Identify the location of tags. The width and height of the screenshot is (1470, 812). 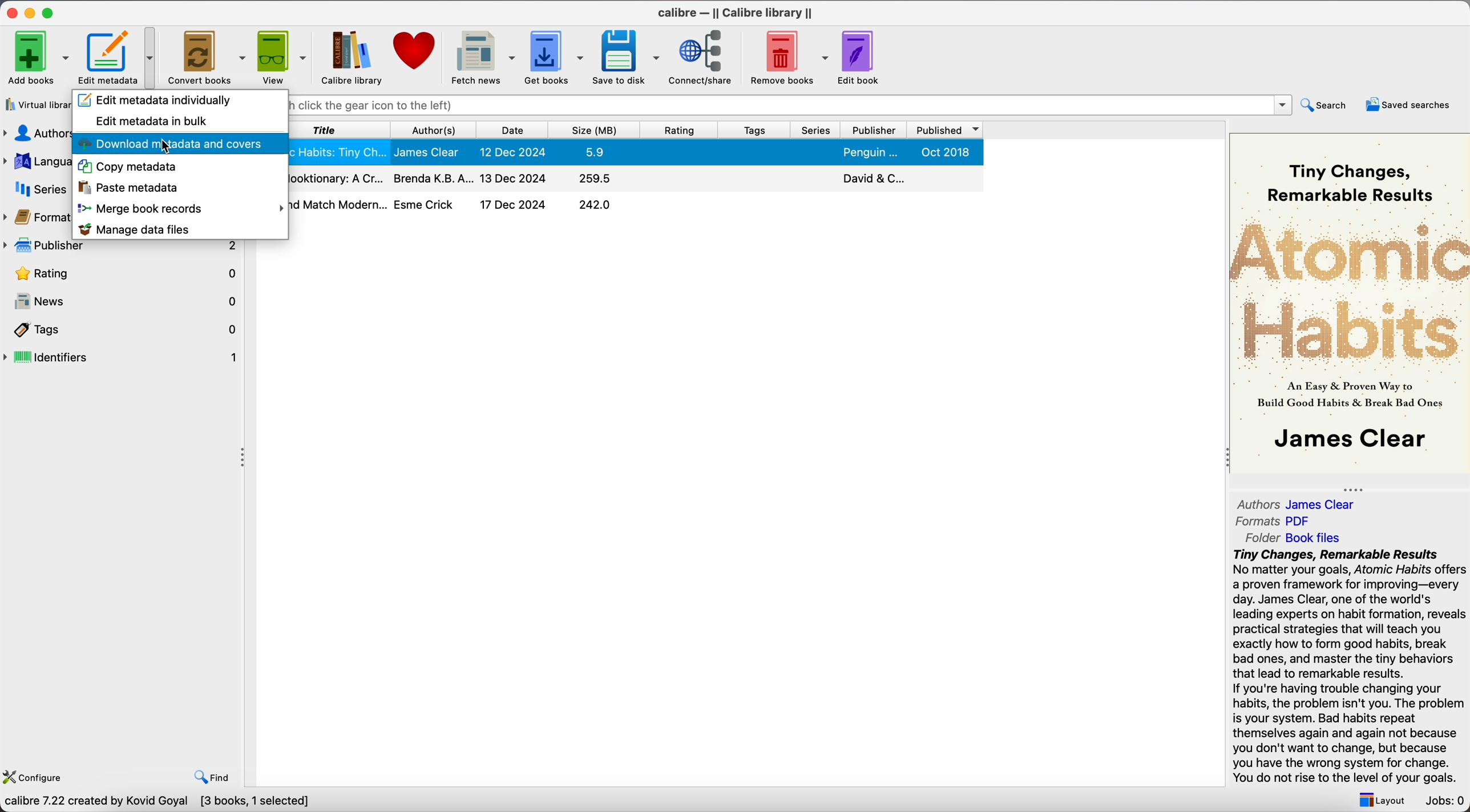
(127, 330).